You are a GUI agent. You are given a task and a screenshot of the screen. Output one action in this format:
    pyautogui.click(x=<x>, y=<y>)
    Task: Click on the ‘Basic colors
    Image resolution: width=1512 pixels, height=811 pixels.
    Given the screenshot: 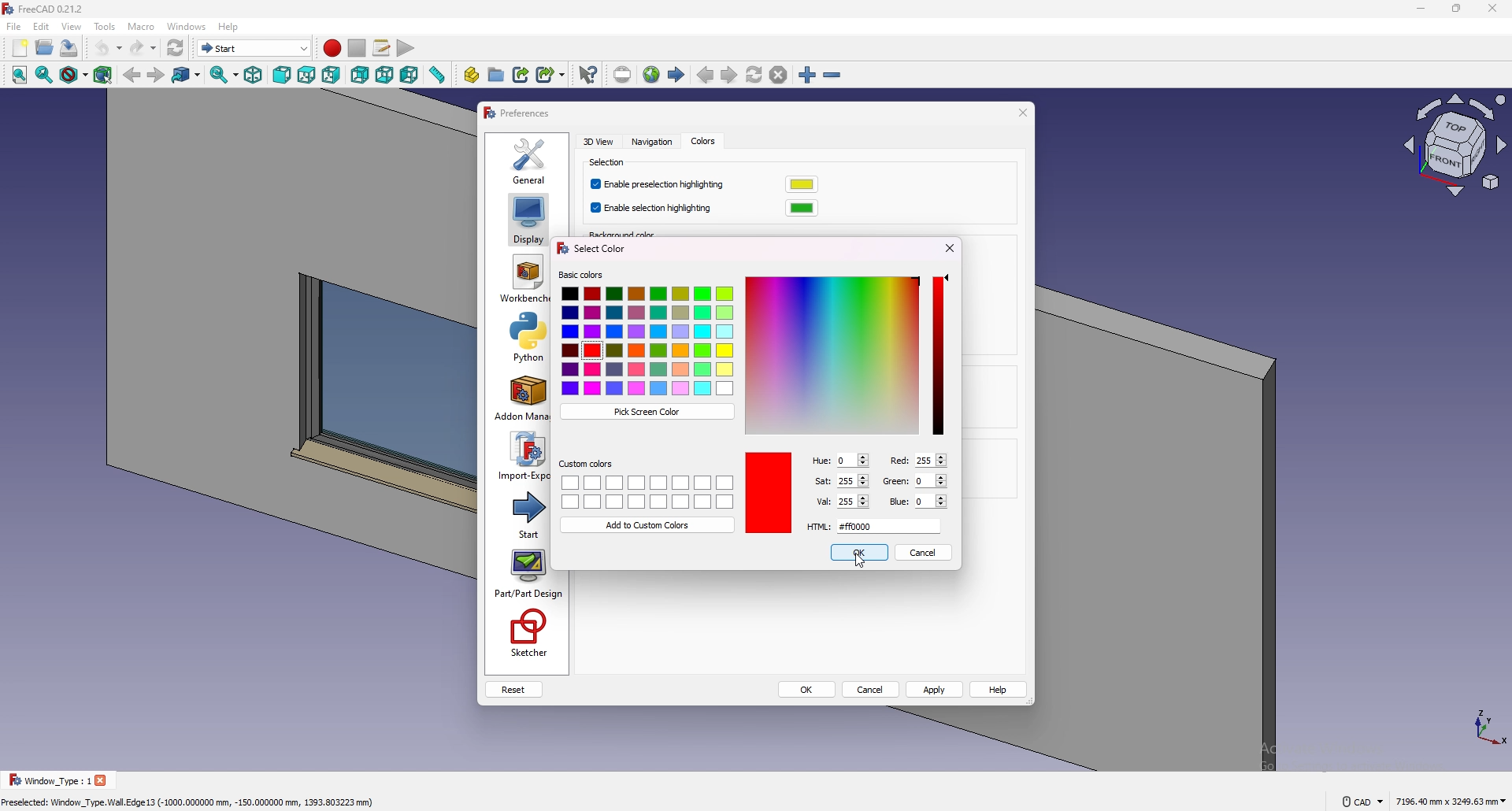 What is the action you would take?
    pyautogui.click(x=580, y=275)
    